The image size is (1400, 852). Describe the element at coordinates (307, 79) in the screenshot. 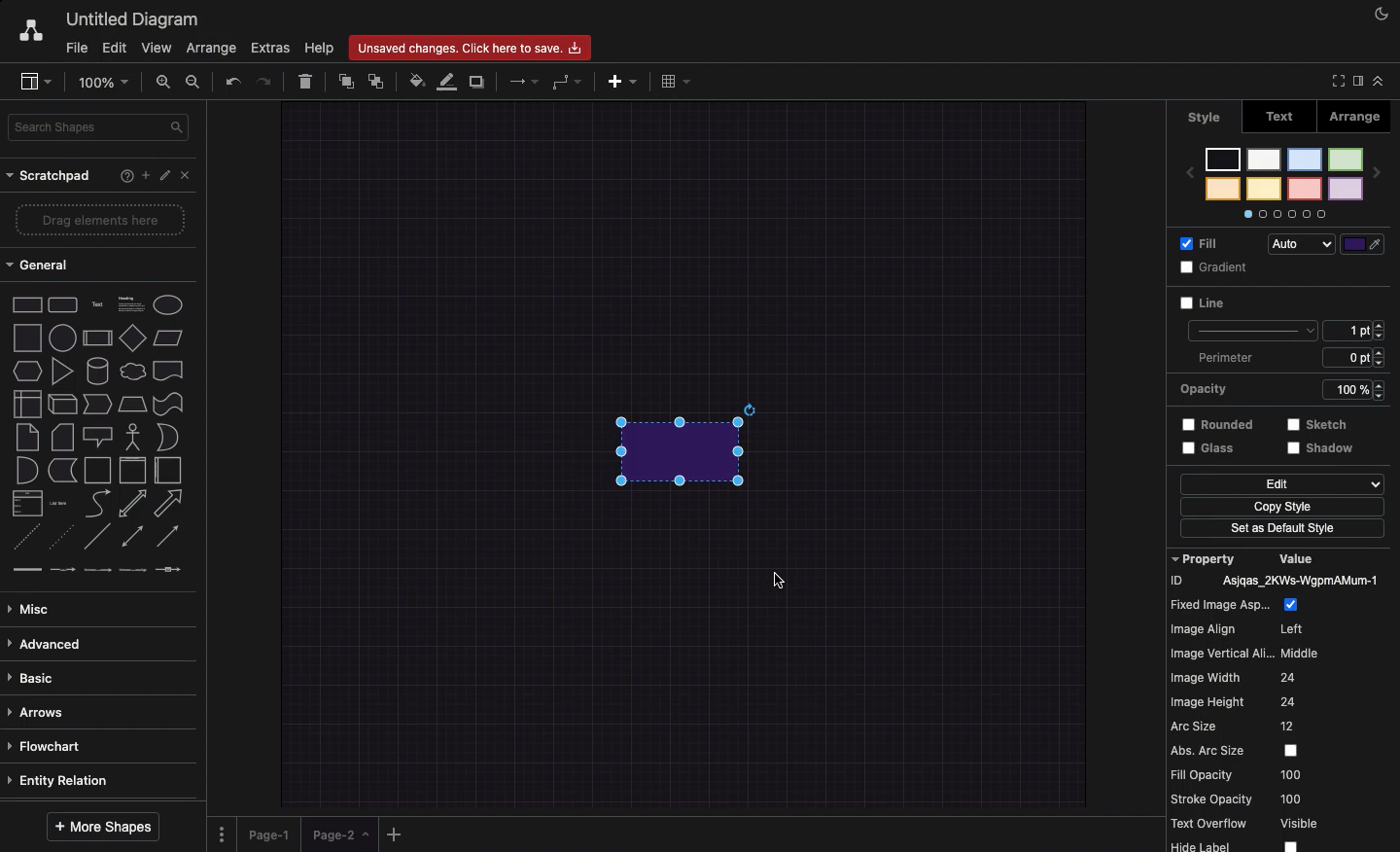

I see `Delete` at that location.